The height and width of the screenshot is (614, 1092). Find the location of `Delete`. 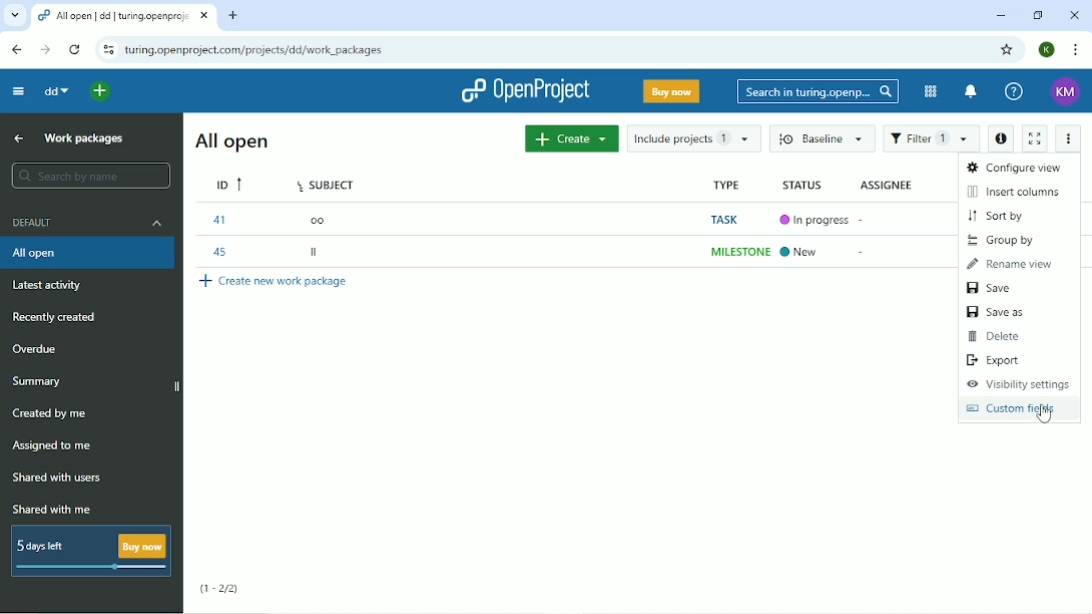

Delete is located at coordinates (996, 337).